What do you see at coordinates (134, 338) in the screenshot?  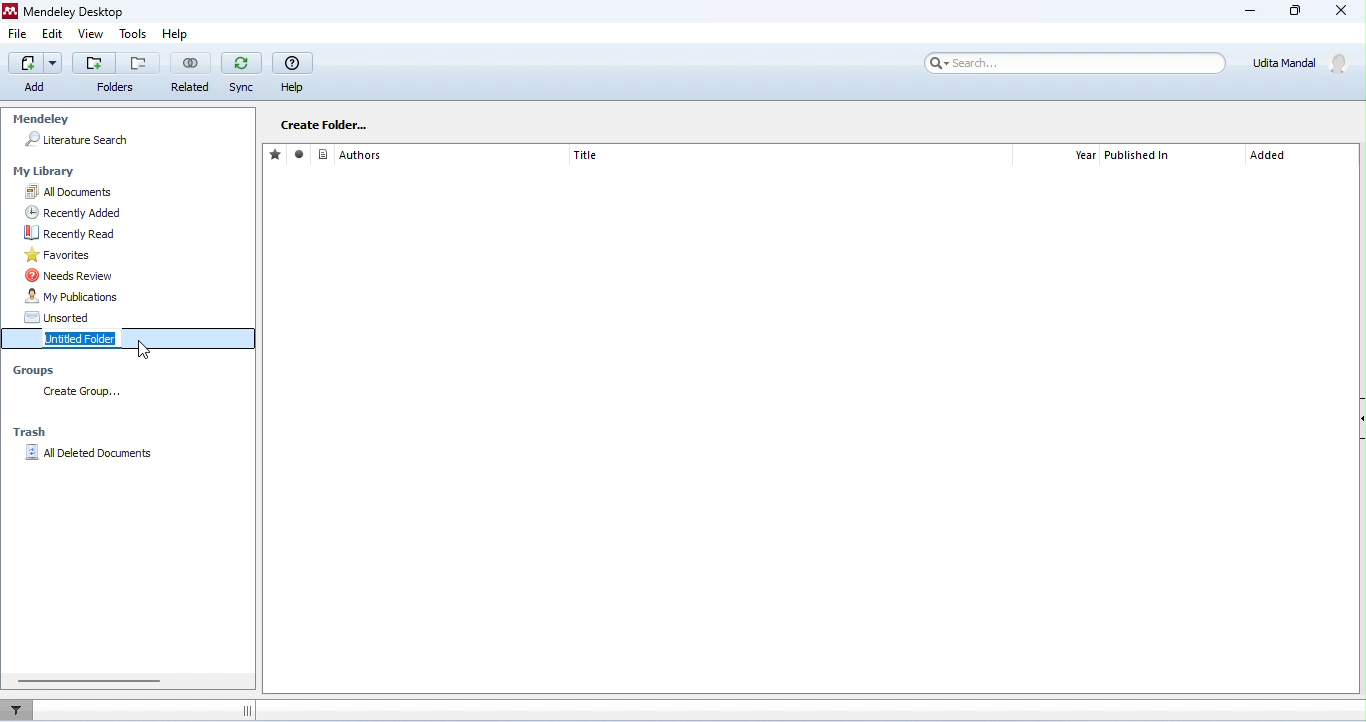 I see `` at bounding box center [134, 338].